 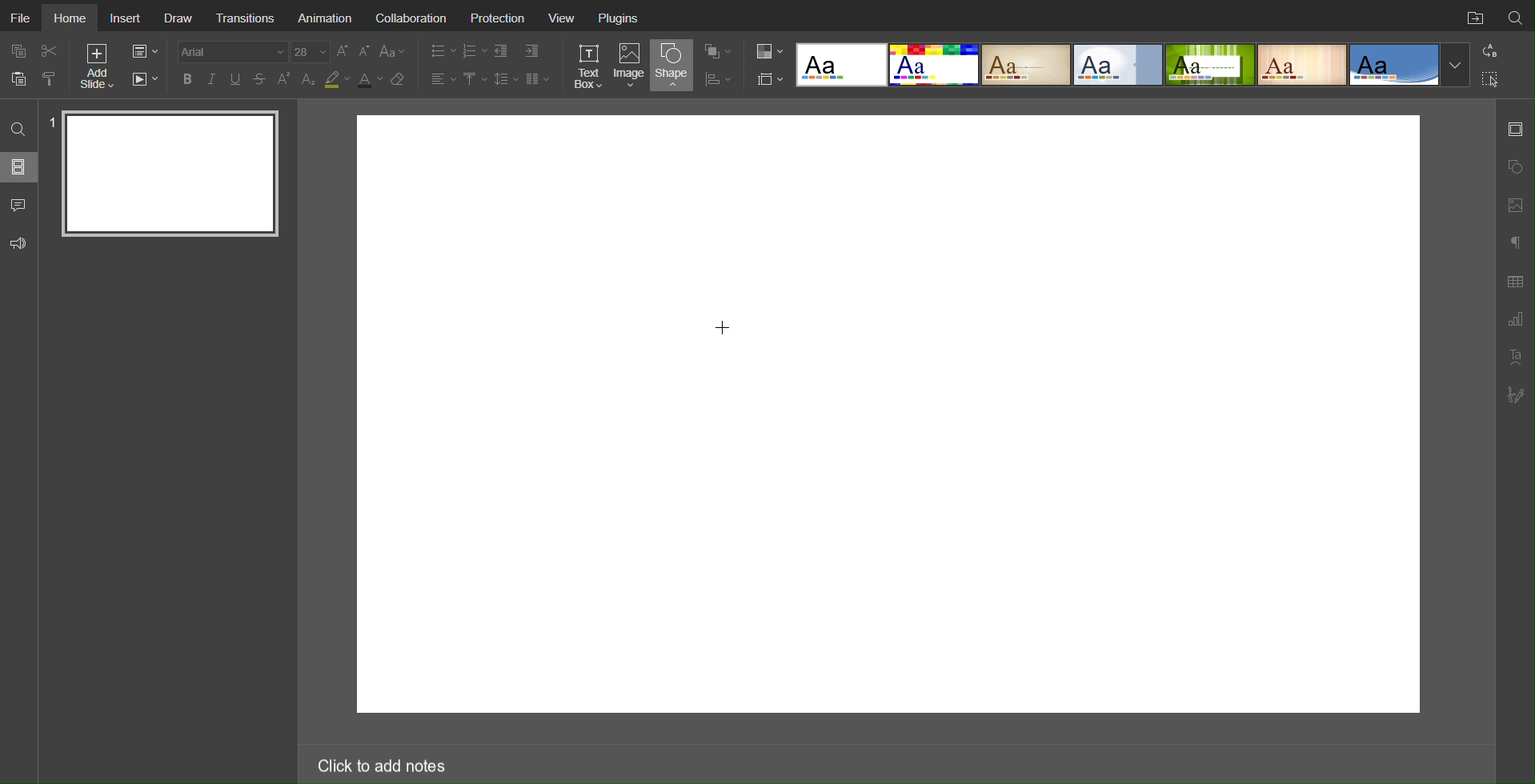 I want to click on Table Settings, so click(x=1515, y=280).